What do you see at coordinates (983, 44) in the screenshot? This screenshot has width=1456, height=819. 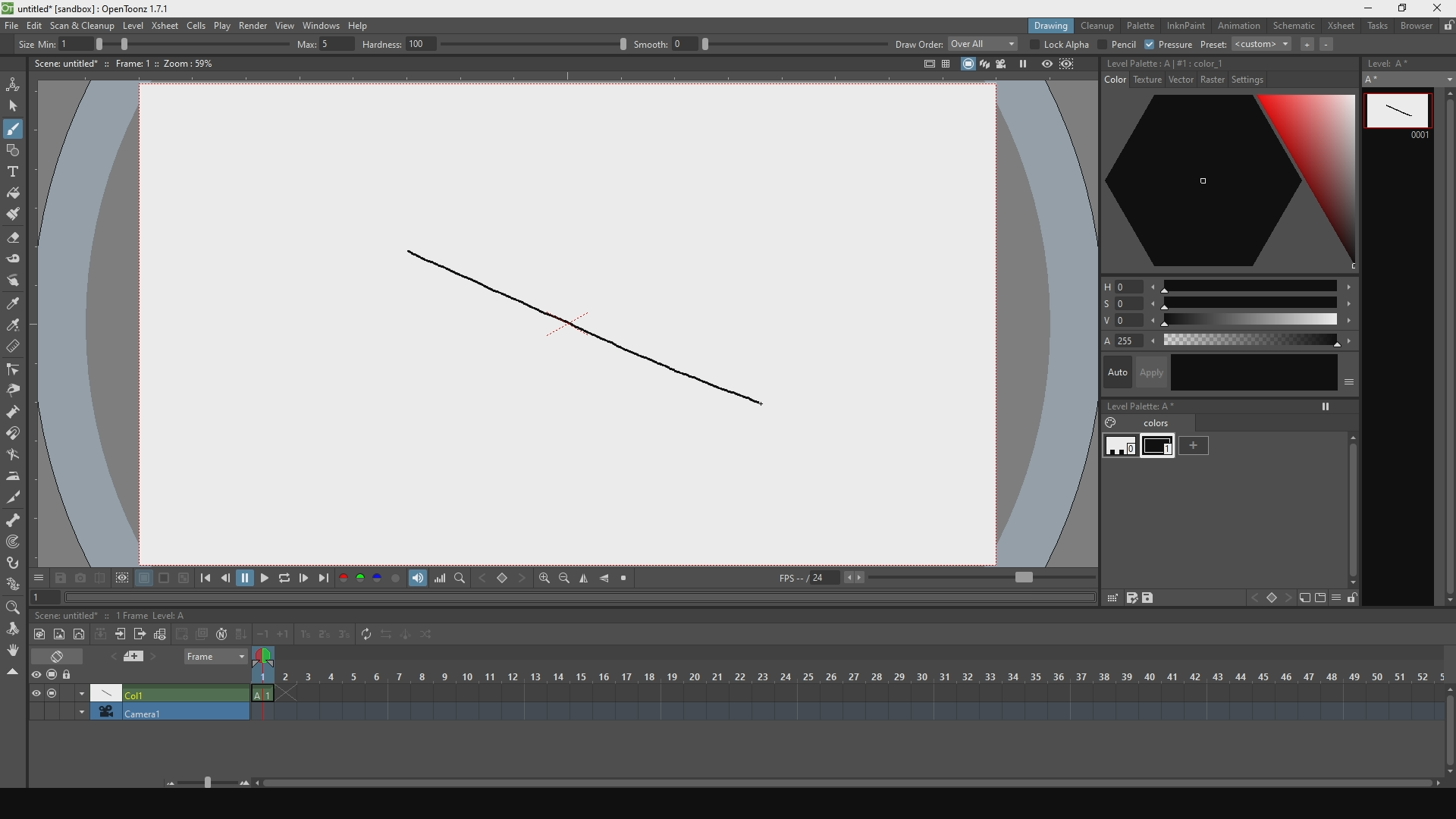 I see `overall` at bounding box center [983, 44].